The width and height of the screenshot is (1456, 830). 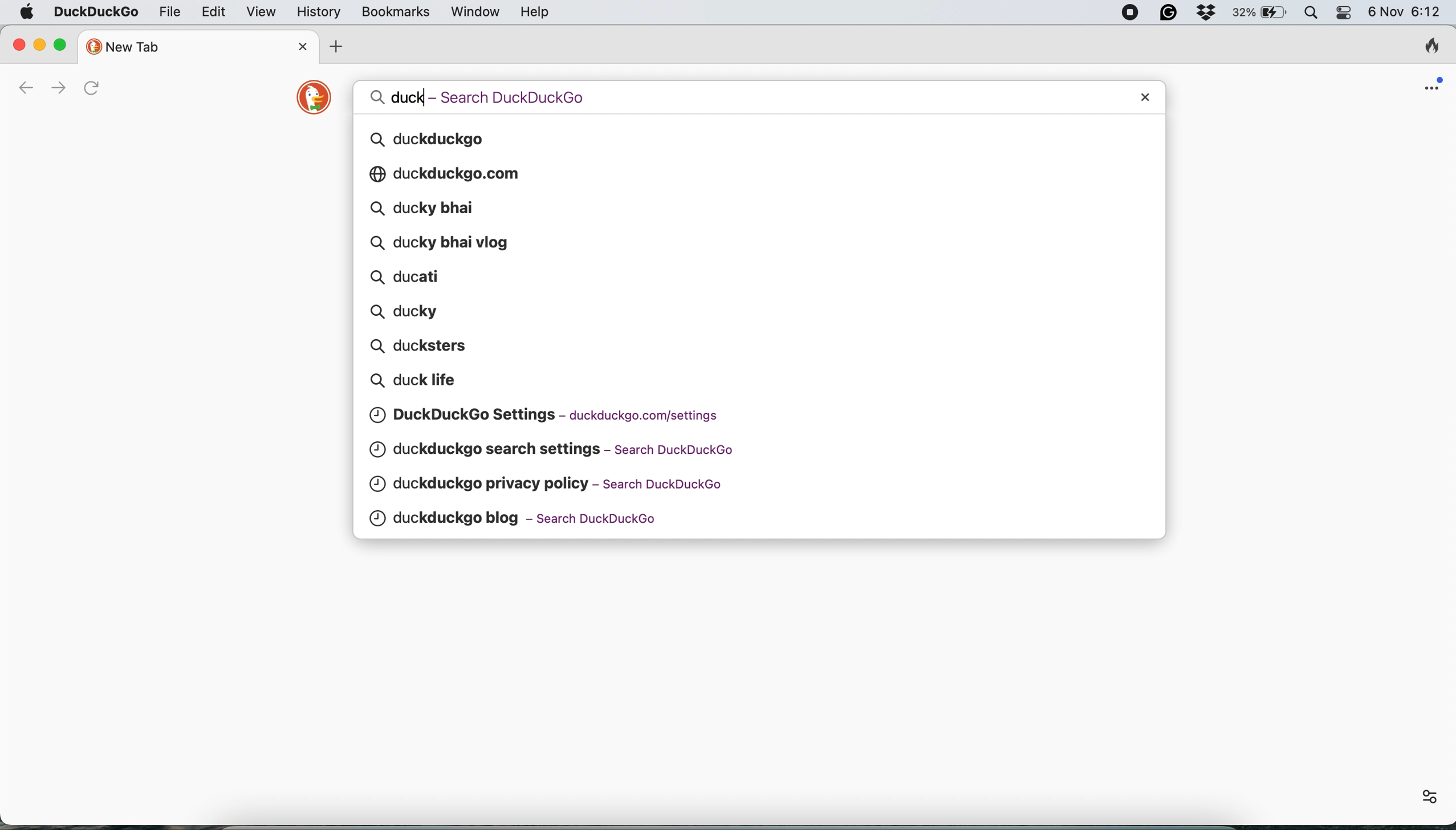 What do you see at coordinates (26, 13) in the screenshot?
I see `system logo` at bounding box center [26, 13].